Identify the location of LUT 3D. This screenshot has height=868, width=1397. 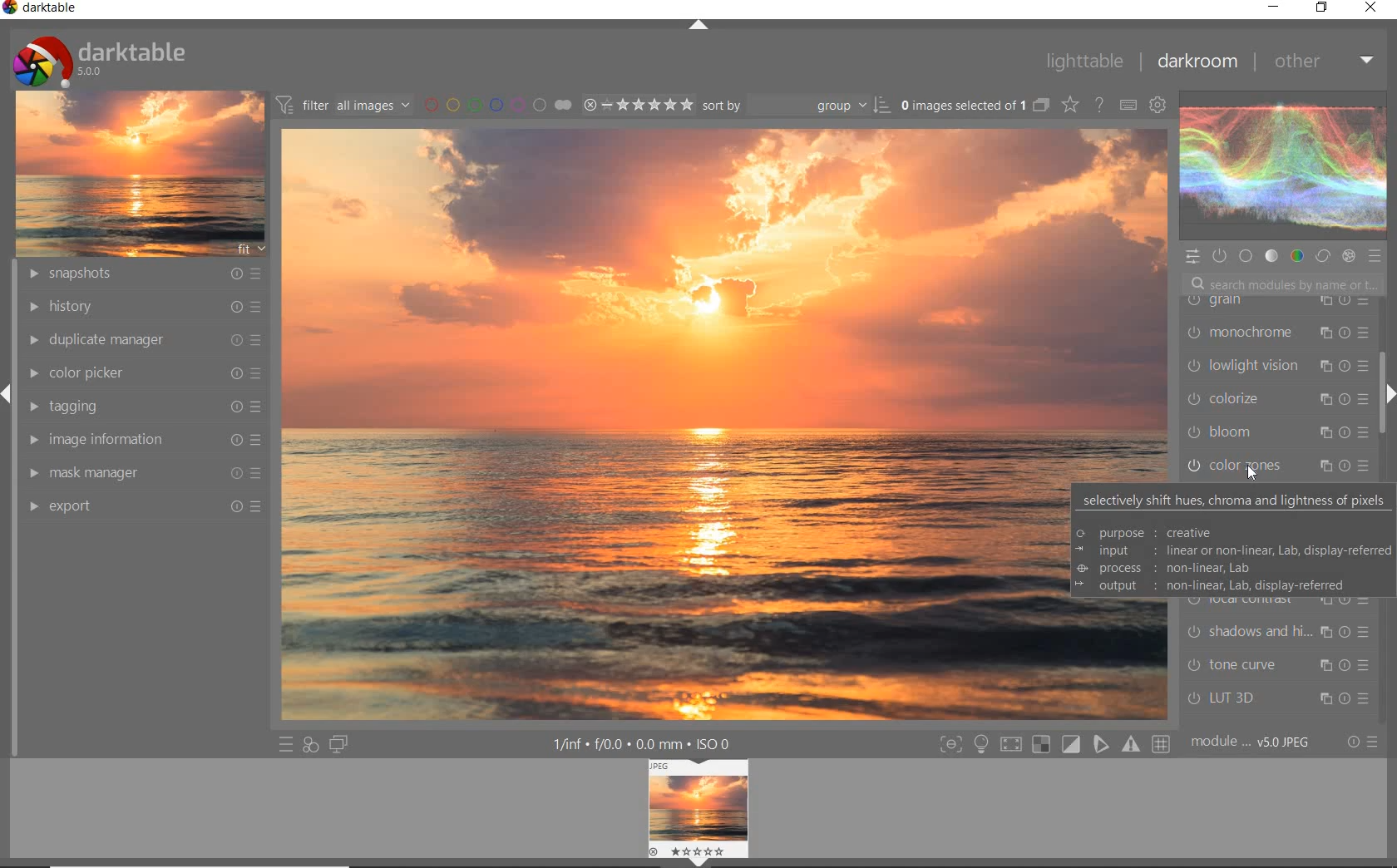
(1273, 699).